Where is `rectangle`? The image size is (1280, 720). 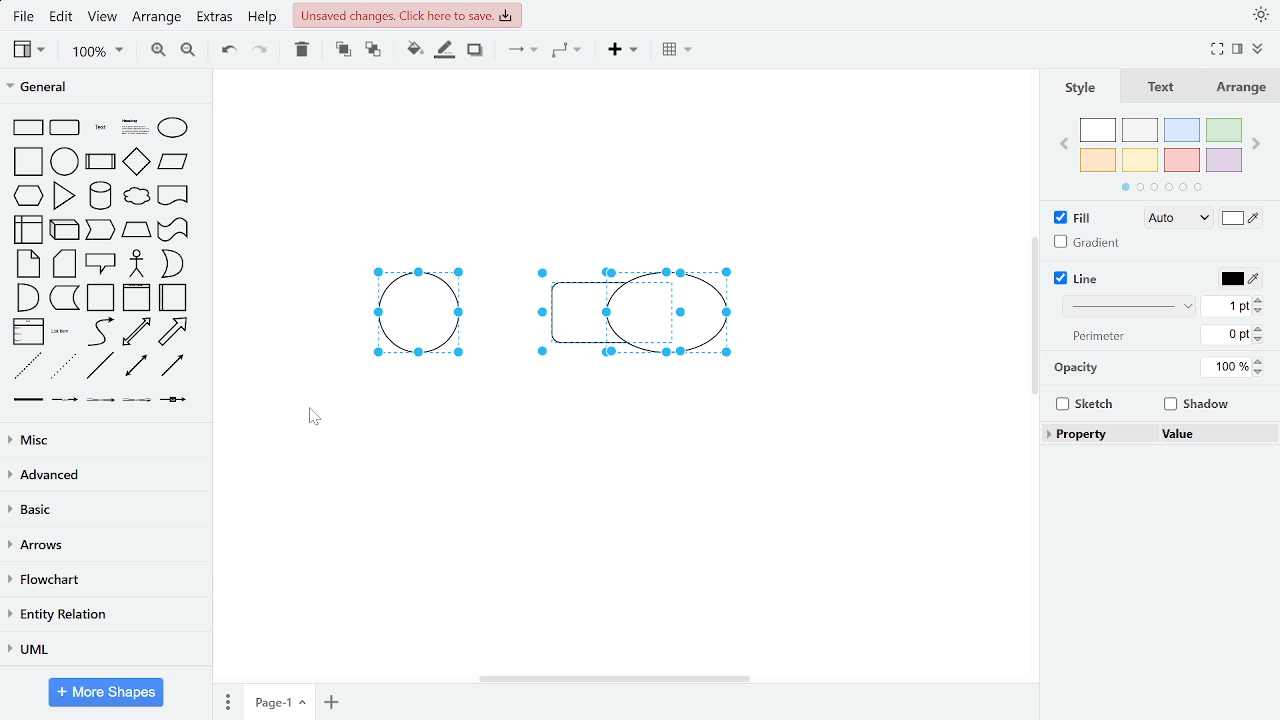
rectangle is located at coordinates (29, 127).